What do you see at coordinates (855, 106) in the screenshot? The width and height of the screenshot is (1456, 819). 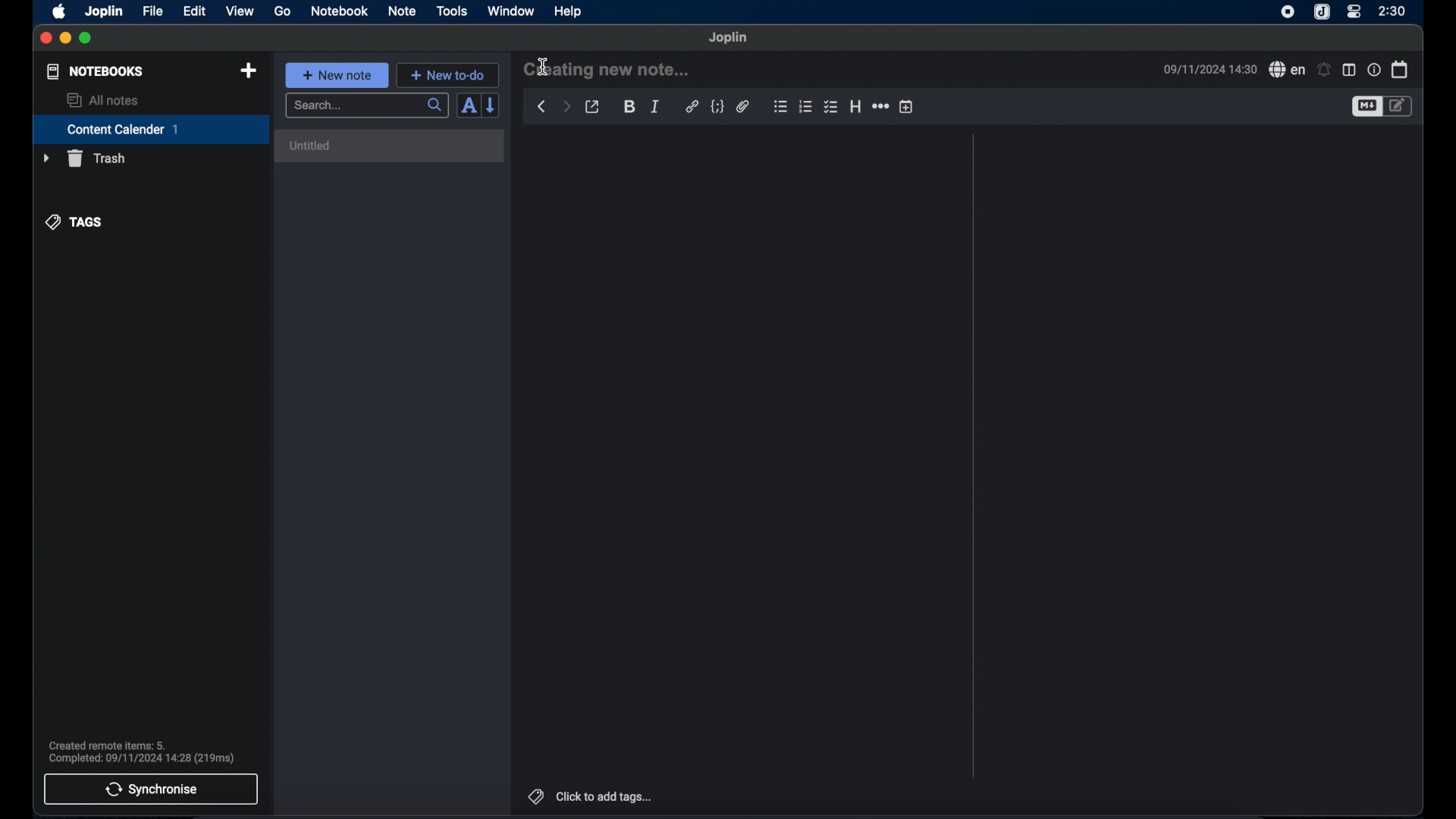 I see `heading` at bounding box center [855, 106].